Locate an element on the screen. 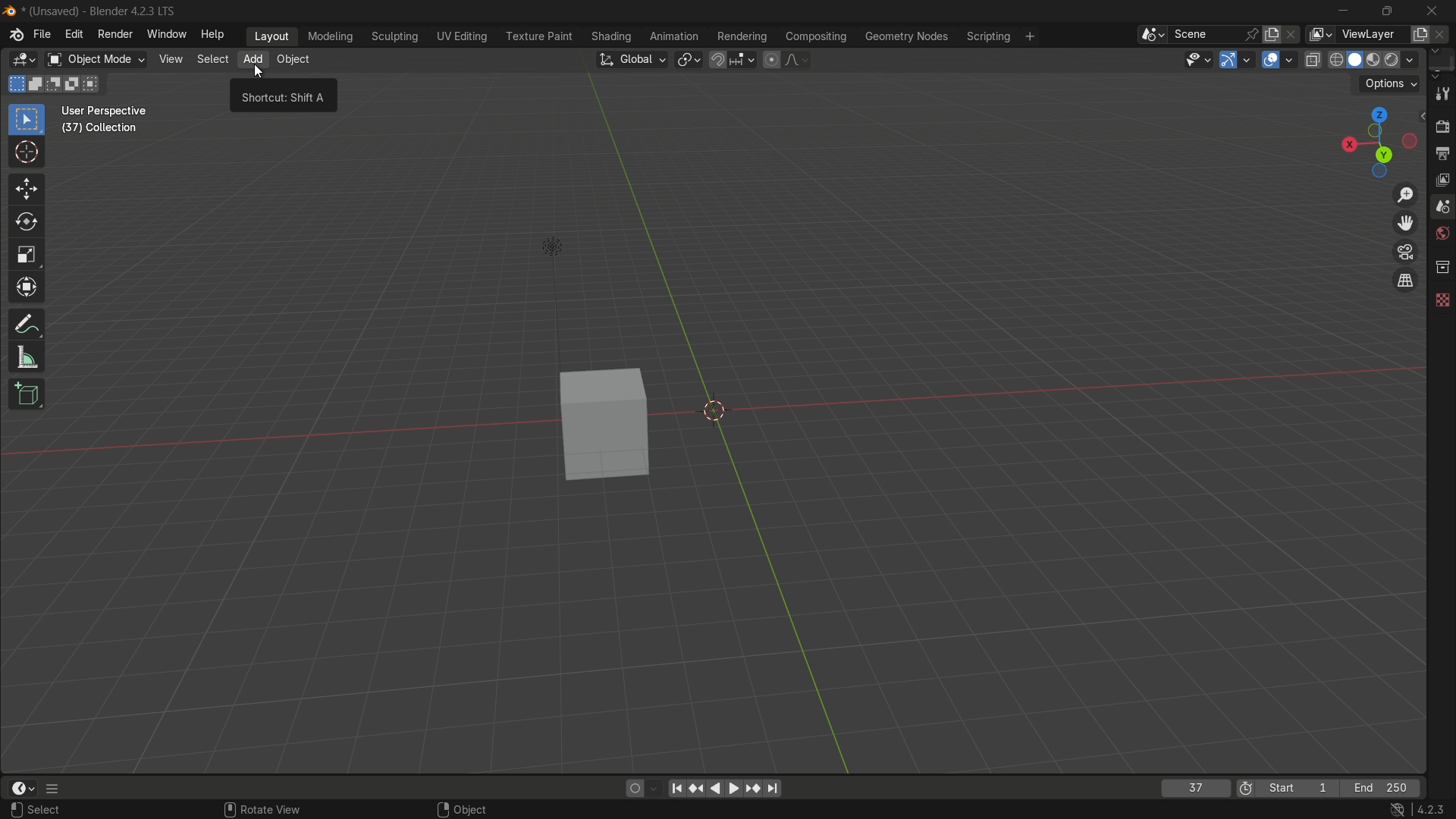  tog is located at coordinates (1403, 280).